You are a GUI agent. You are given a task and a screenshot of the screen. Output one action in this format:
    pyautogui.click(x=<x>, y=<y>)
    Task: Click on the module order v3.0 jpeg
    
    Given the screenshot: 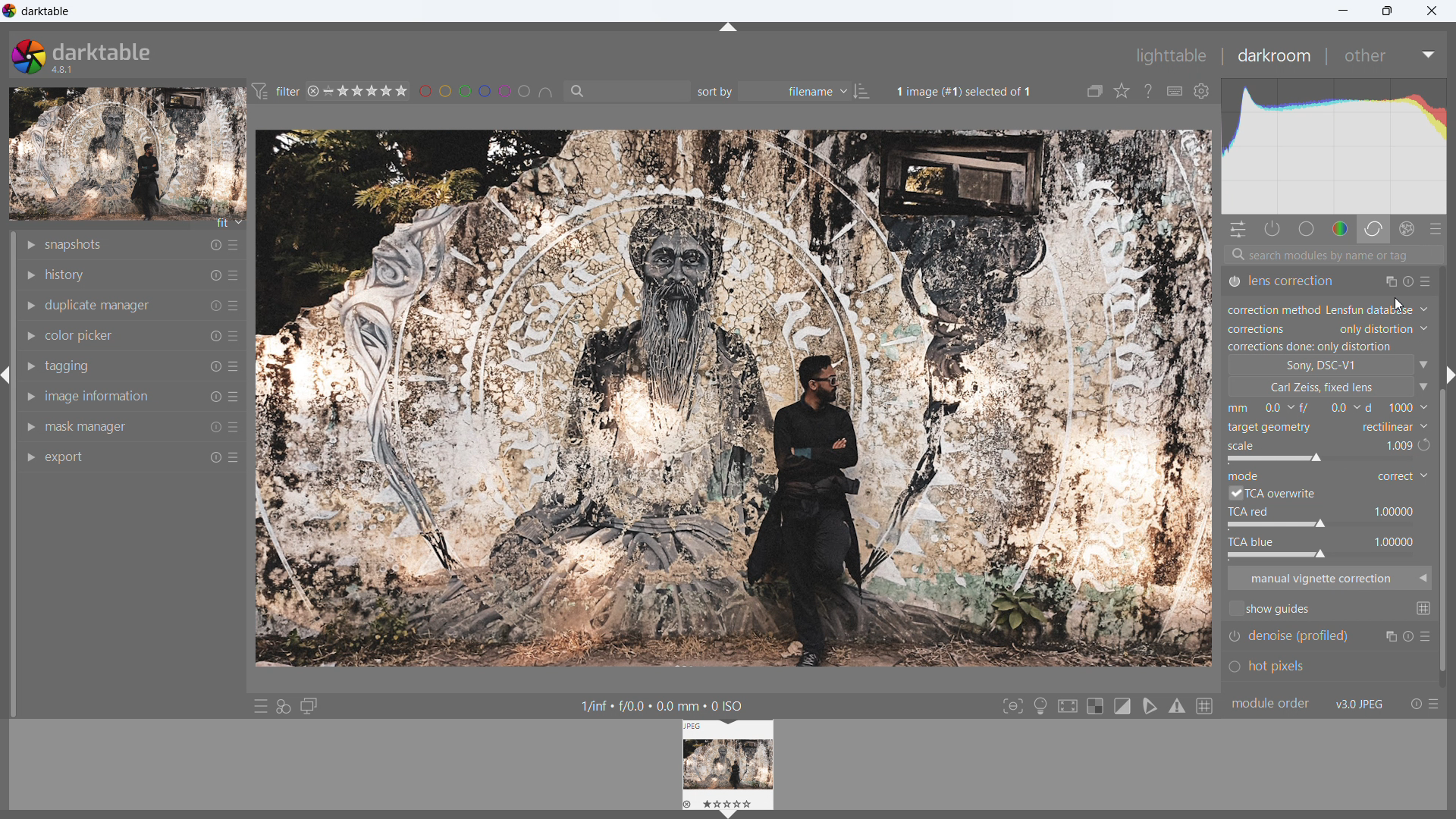 What is the action you would take?
    pyautogui.click(x=1310, y=702)
    